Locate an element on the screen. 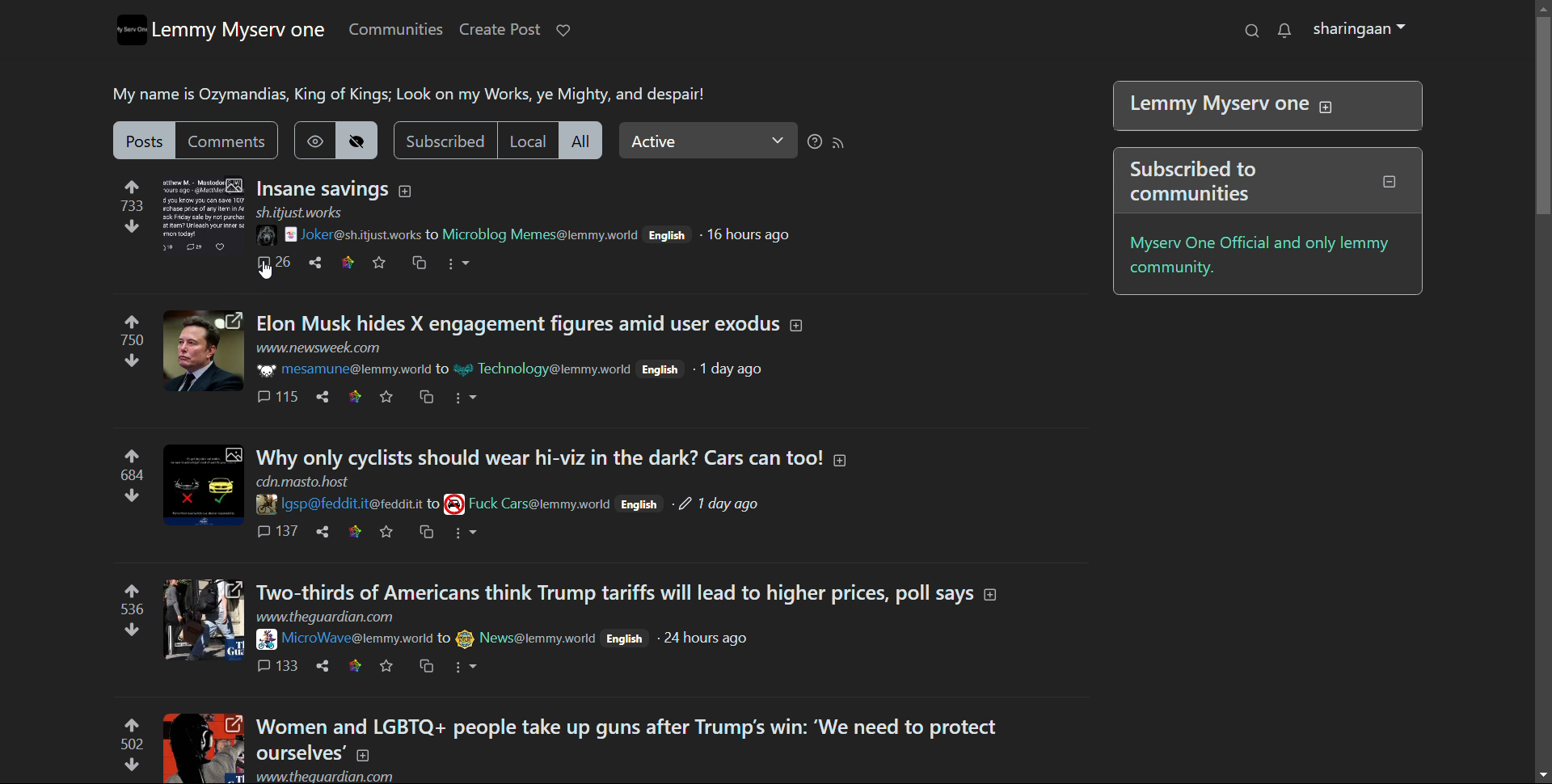 This screenshot has height=784, width=1552. options is located at coordinates (464, 668).